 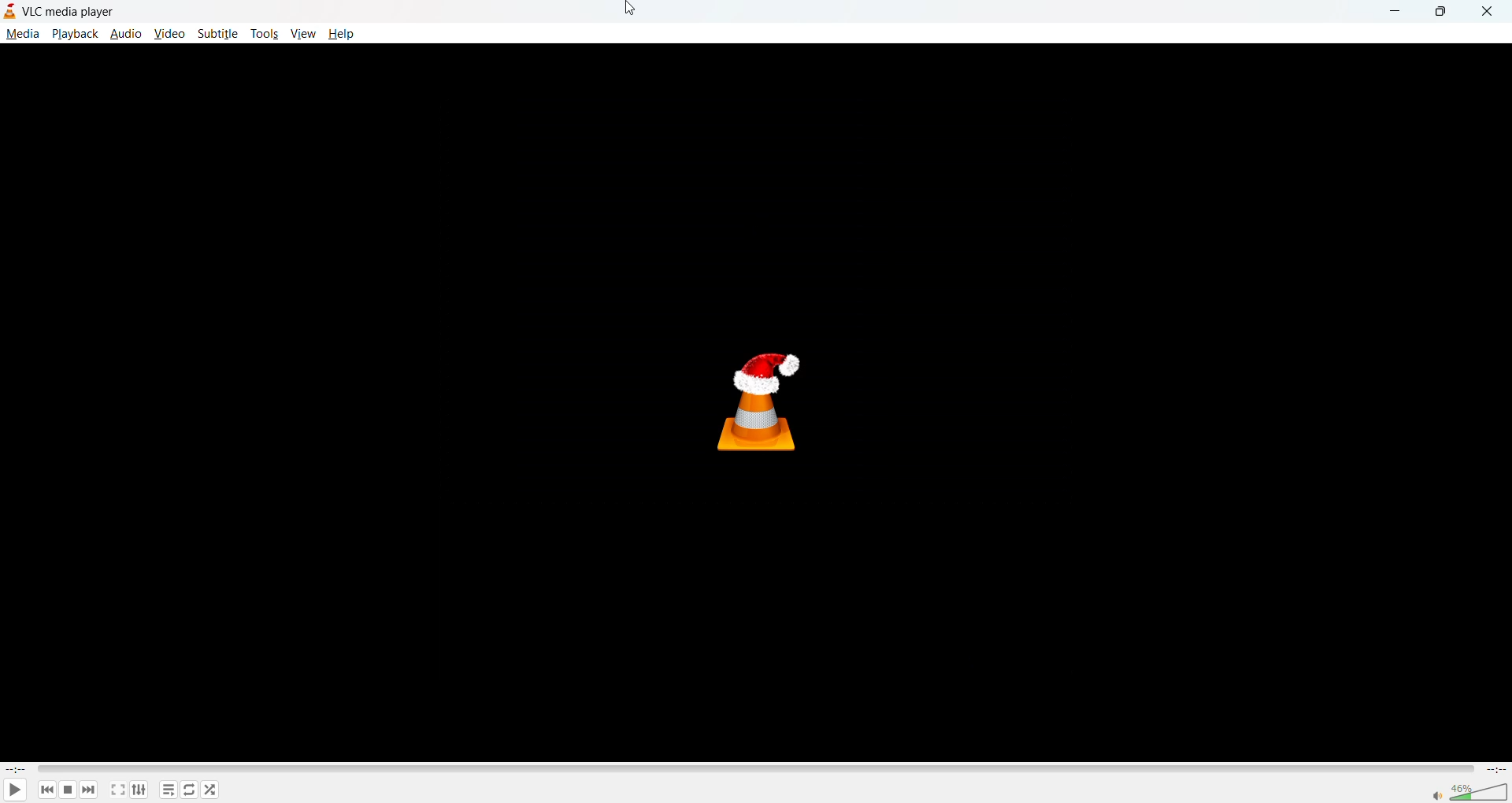 I want to click on video, so click(x=168, y=34).